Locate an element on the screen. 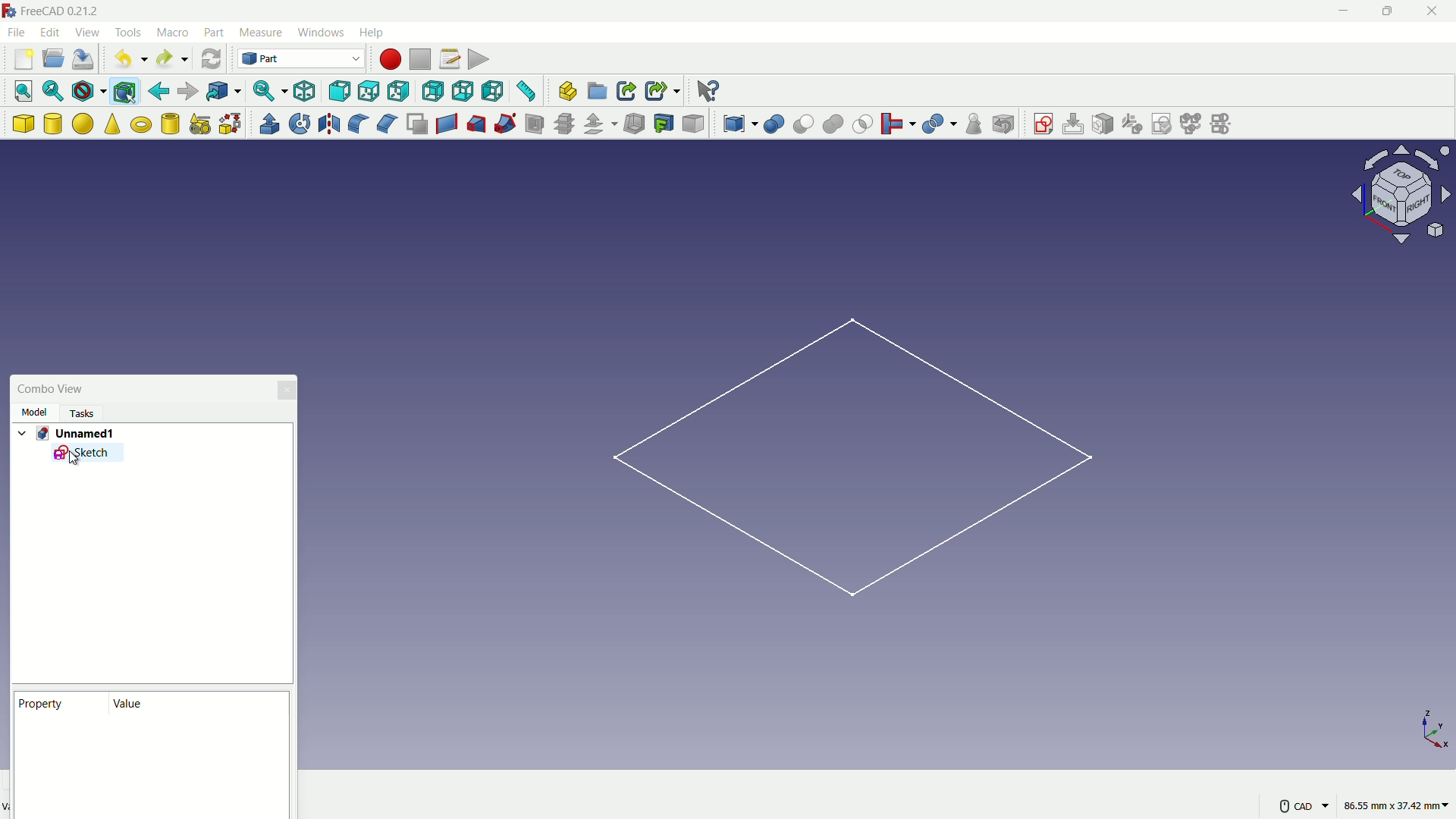  fit all is located at coordinates (25, 91).